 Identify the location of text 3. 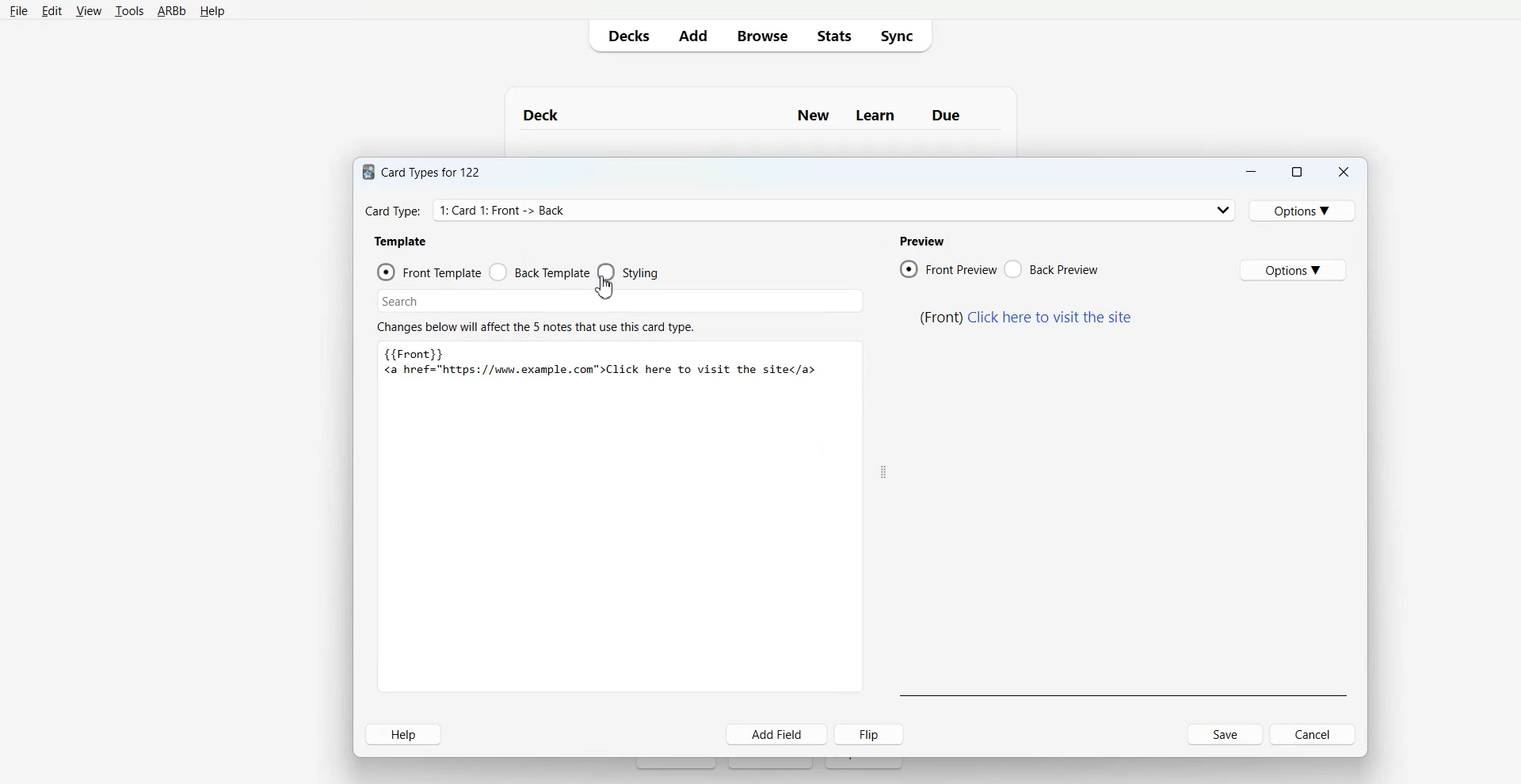
(921, 241).